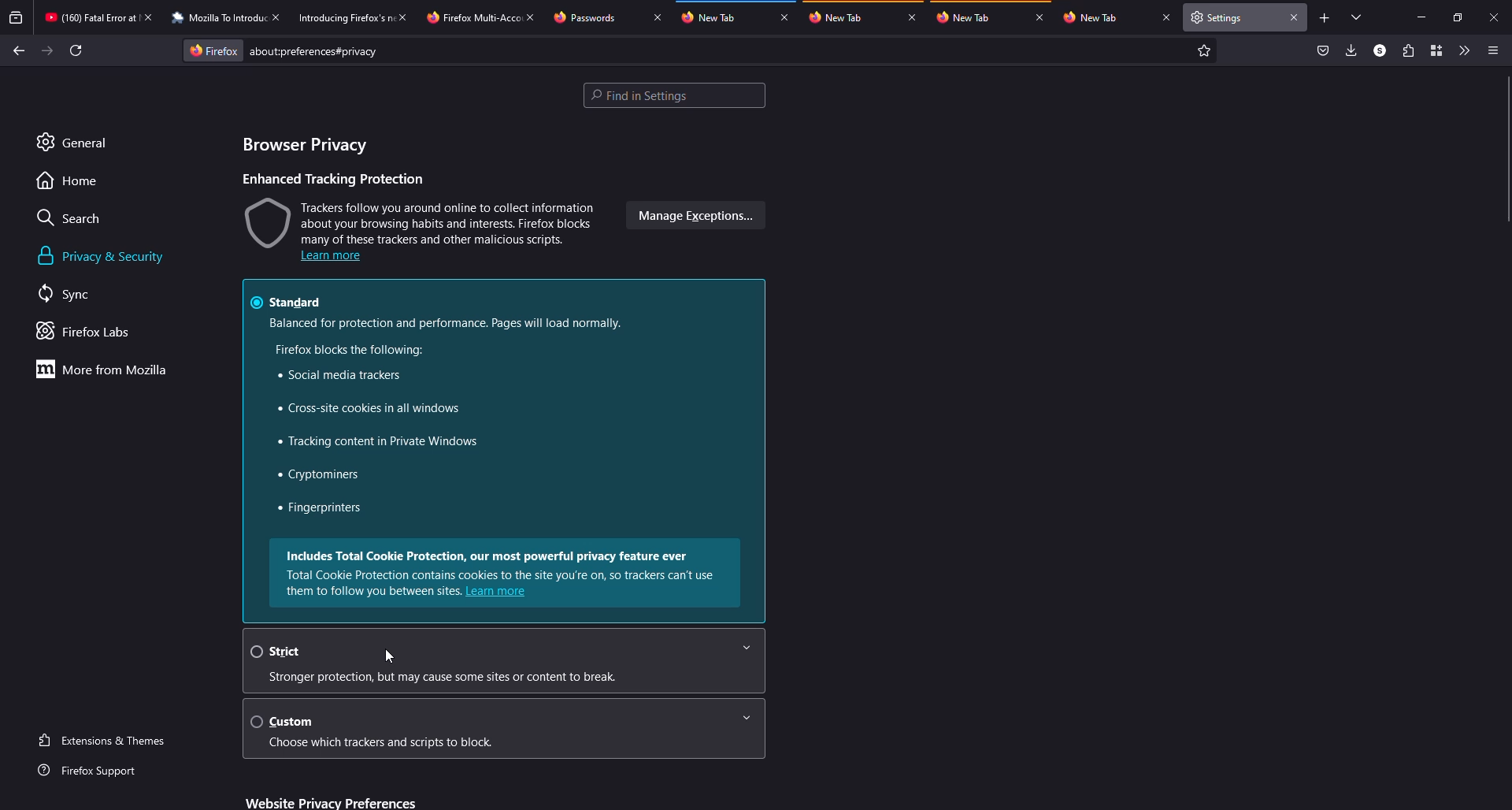  Describe the element at coordinates (76, 50) in the screenshot. I see `refresh` at that location.